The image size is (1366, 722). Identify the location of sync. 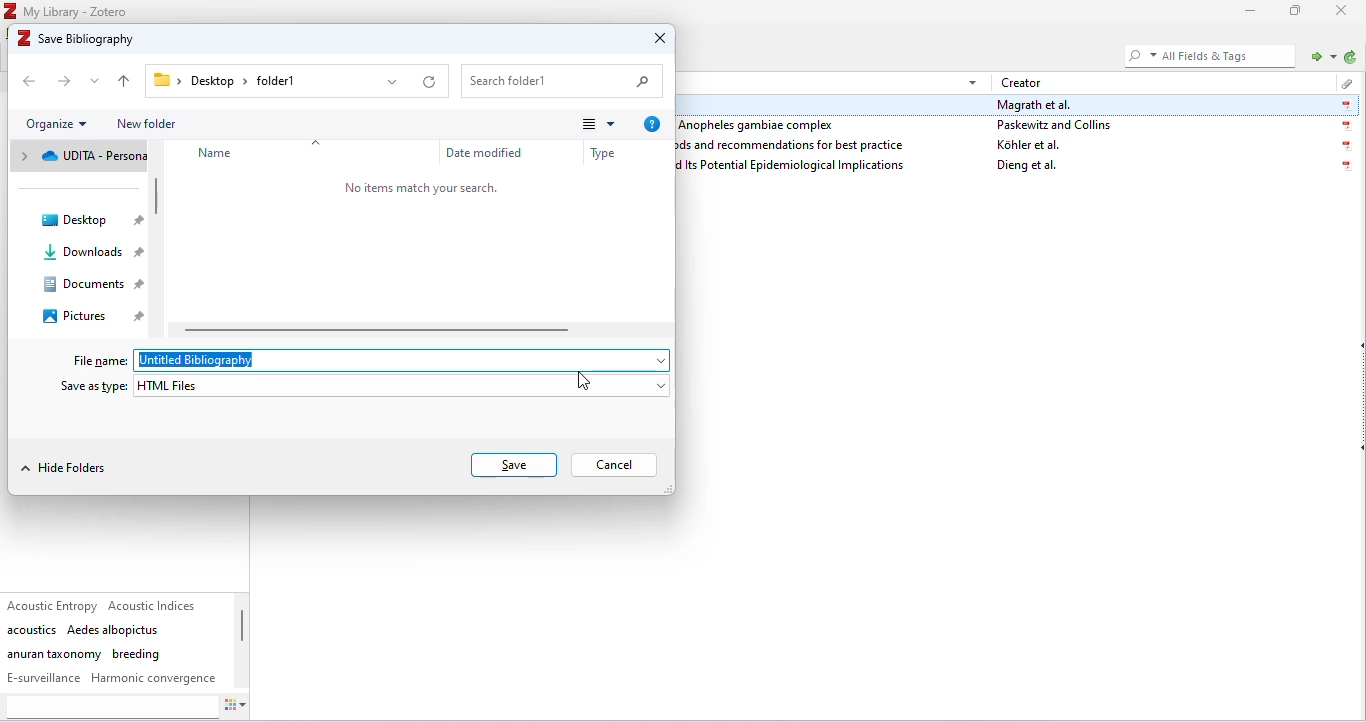
(1349, 58).